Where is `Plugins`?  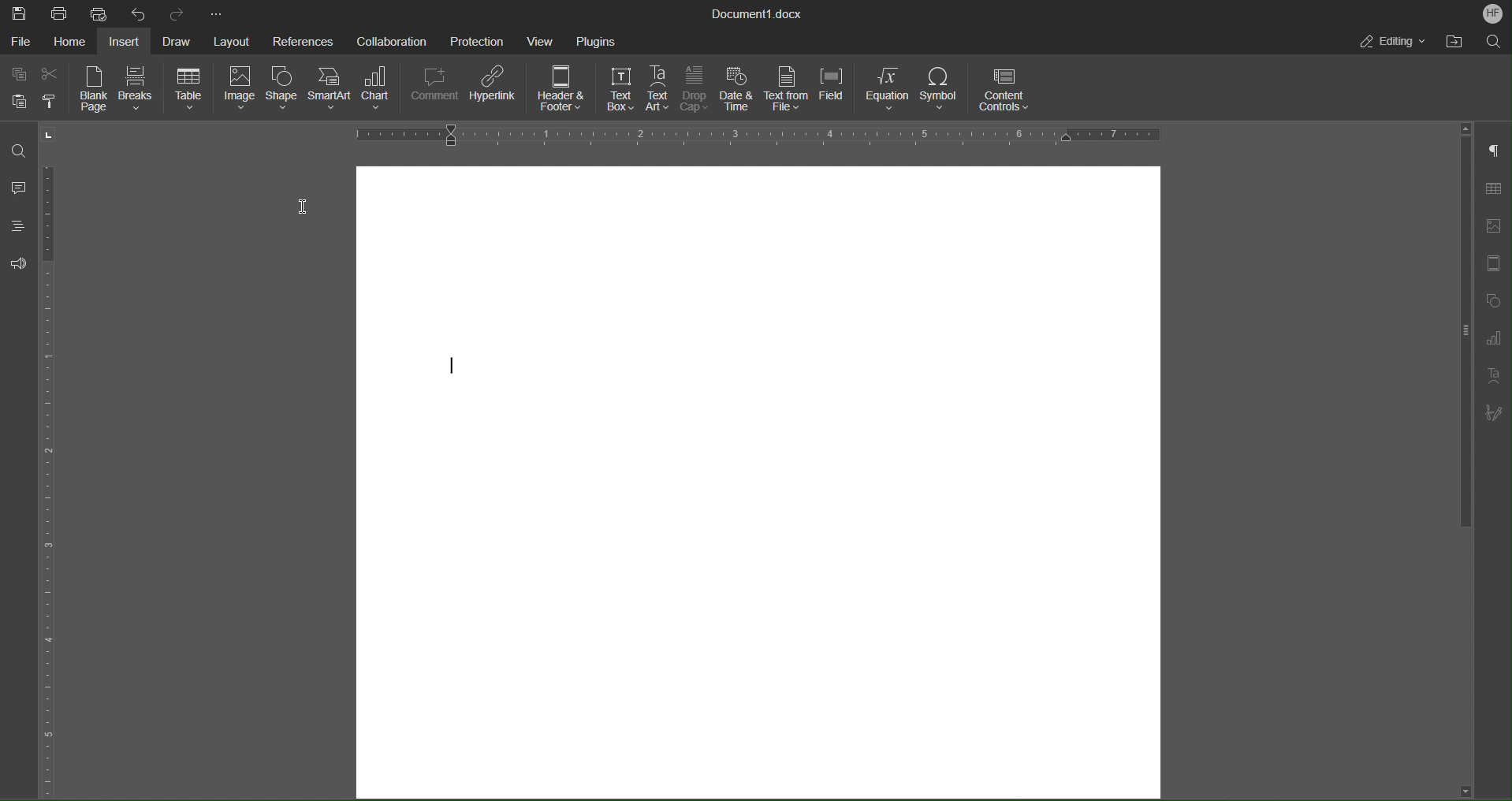
Plugins is located at coordinates (599, 39).